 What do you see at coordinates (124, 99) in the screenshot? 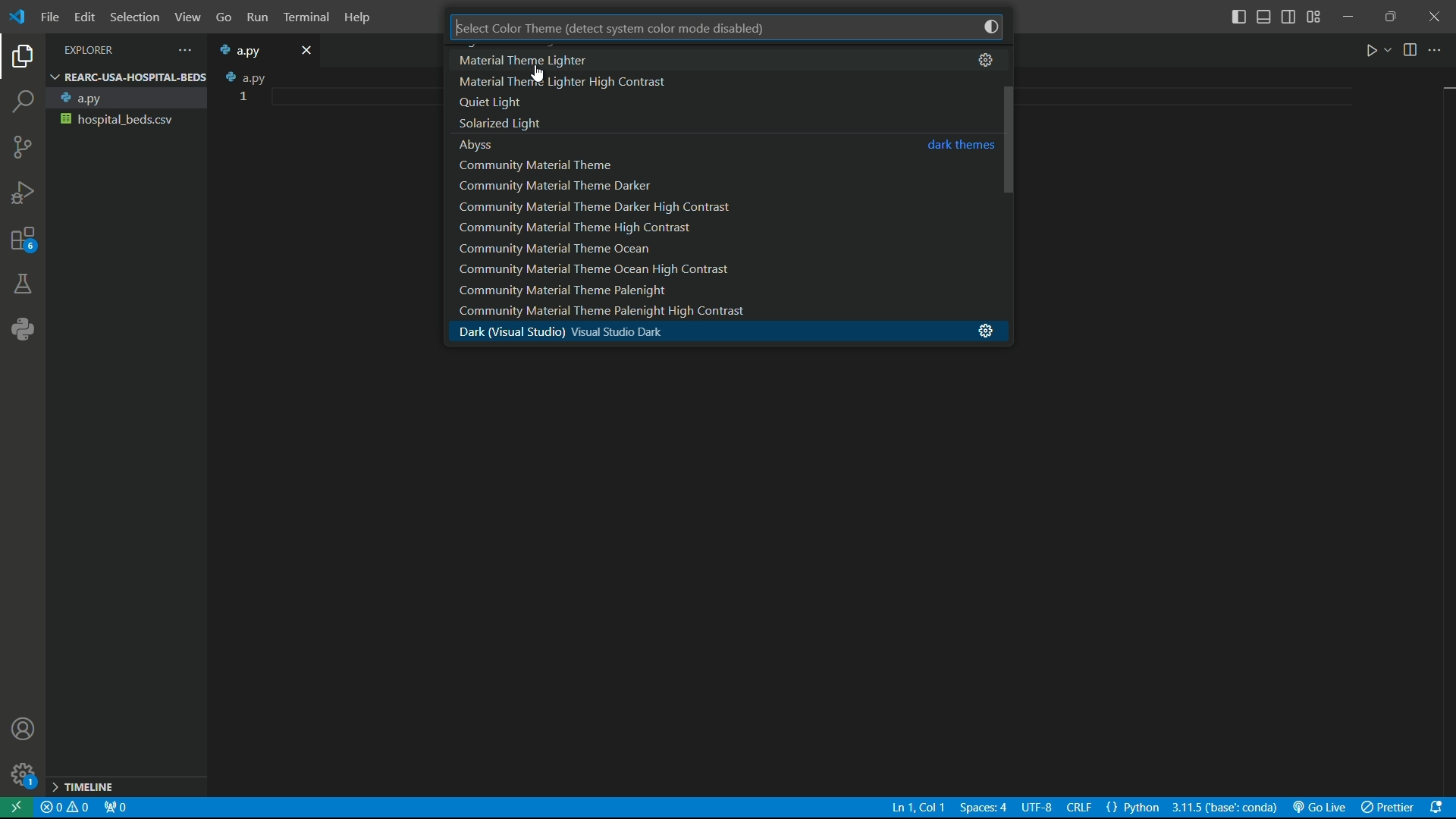
I see `a.py` at bounding box center [124, 99].